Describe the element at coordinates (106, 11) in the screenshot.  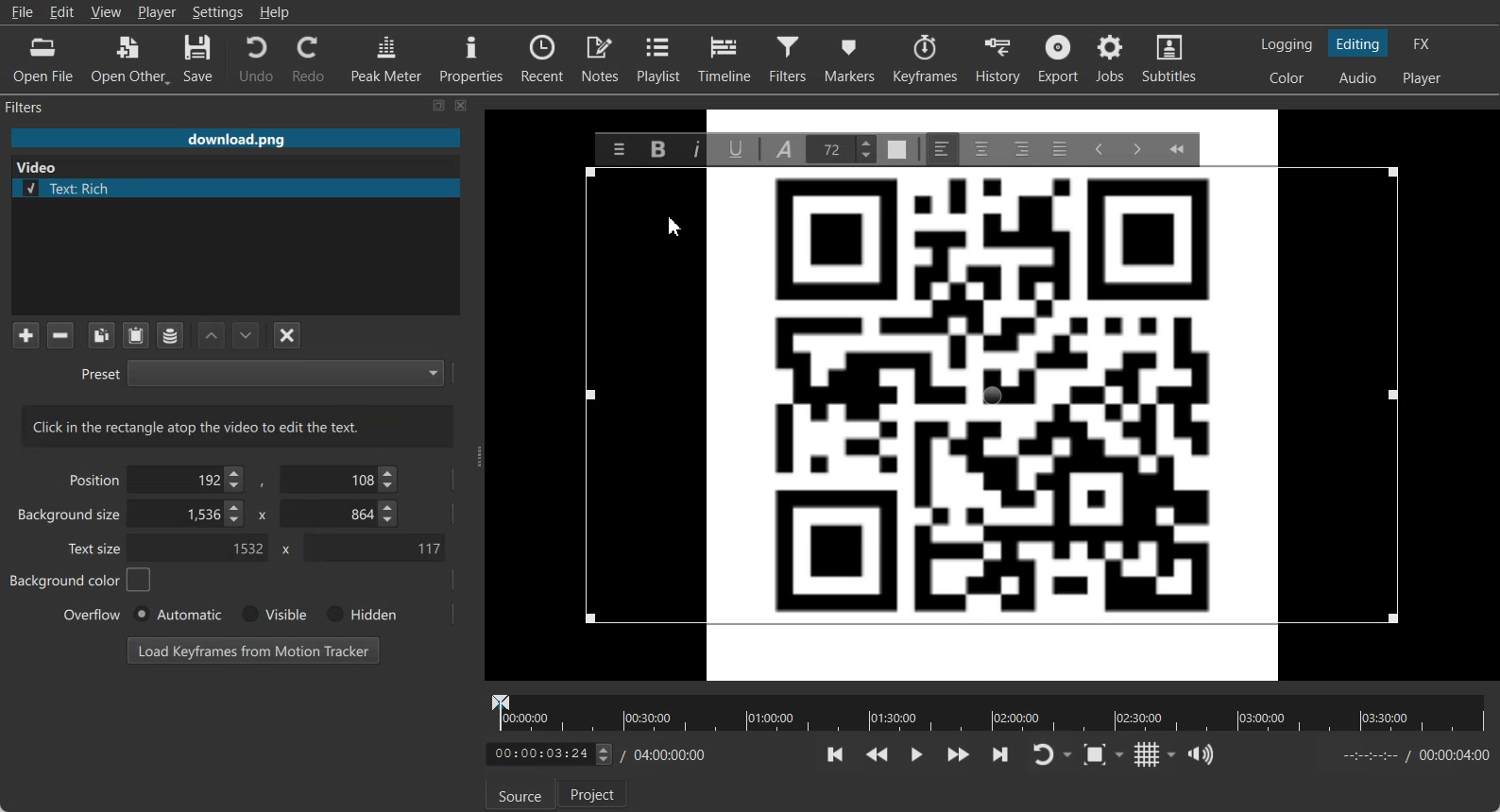
I see `View` at that location.